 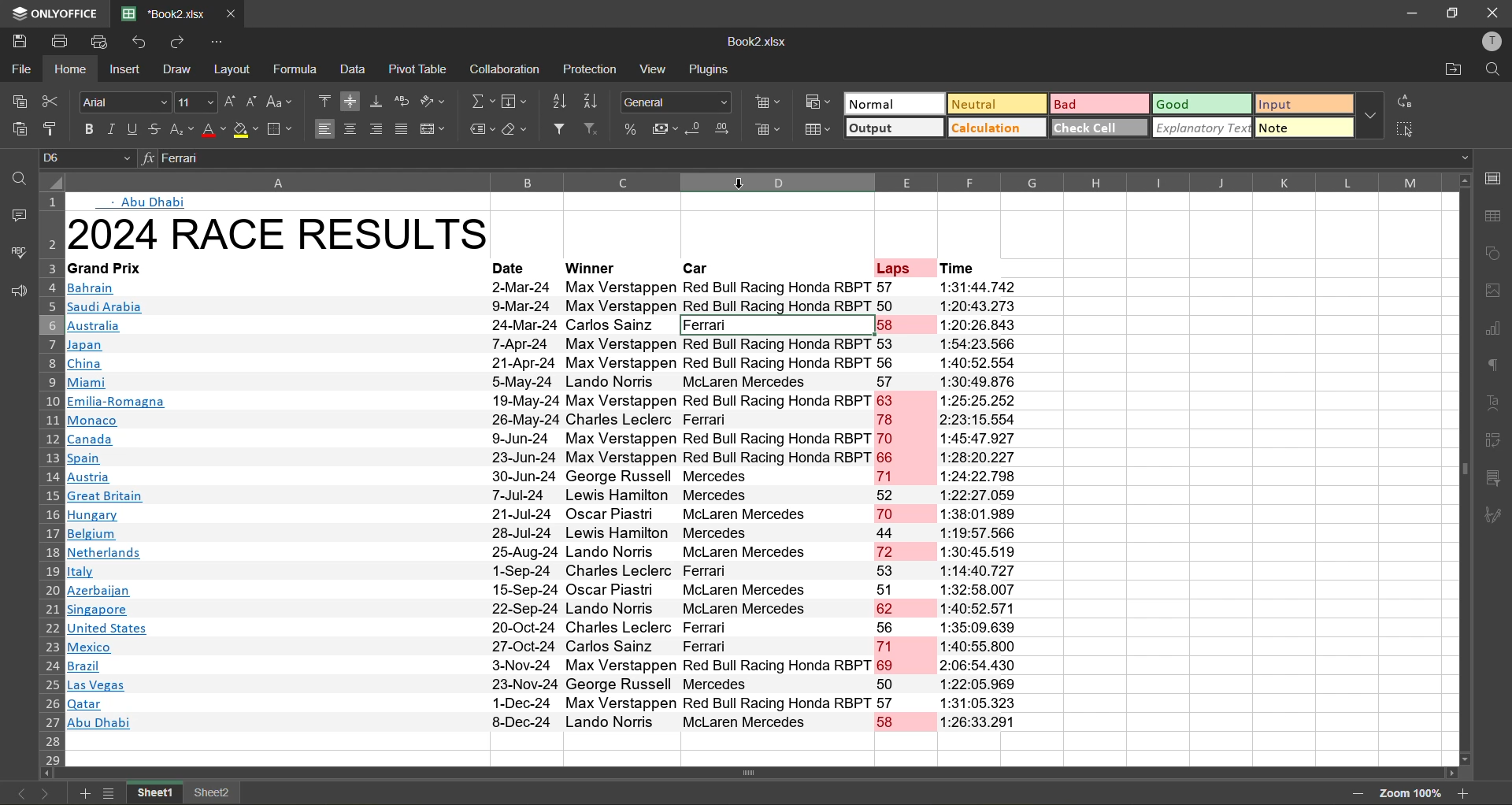 What do you see at coordinates (543, 552) in the screenshot?
I see `Netherlands 25-Aug-24 Lando Norris McLaren Mercedes 72 1:30:45.519` at bounding box center [543, 552].